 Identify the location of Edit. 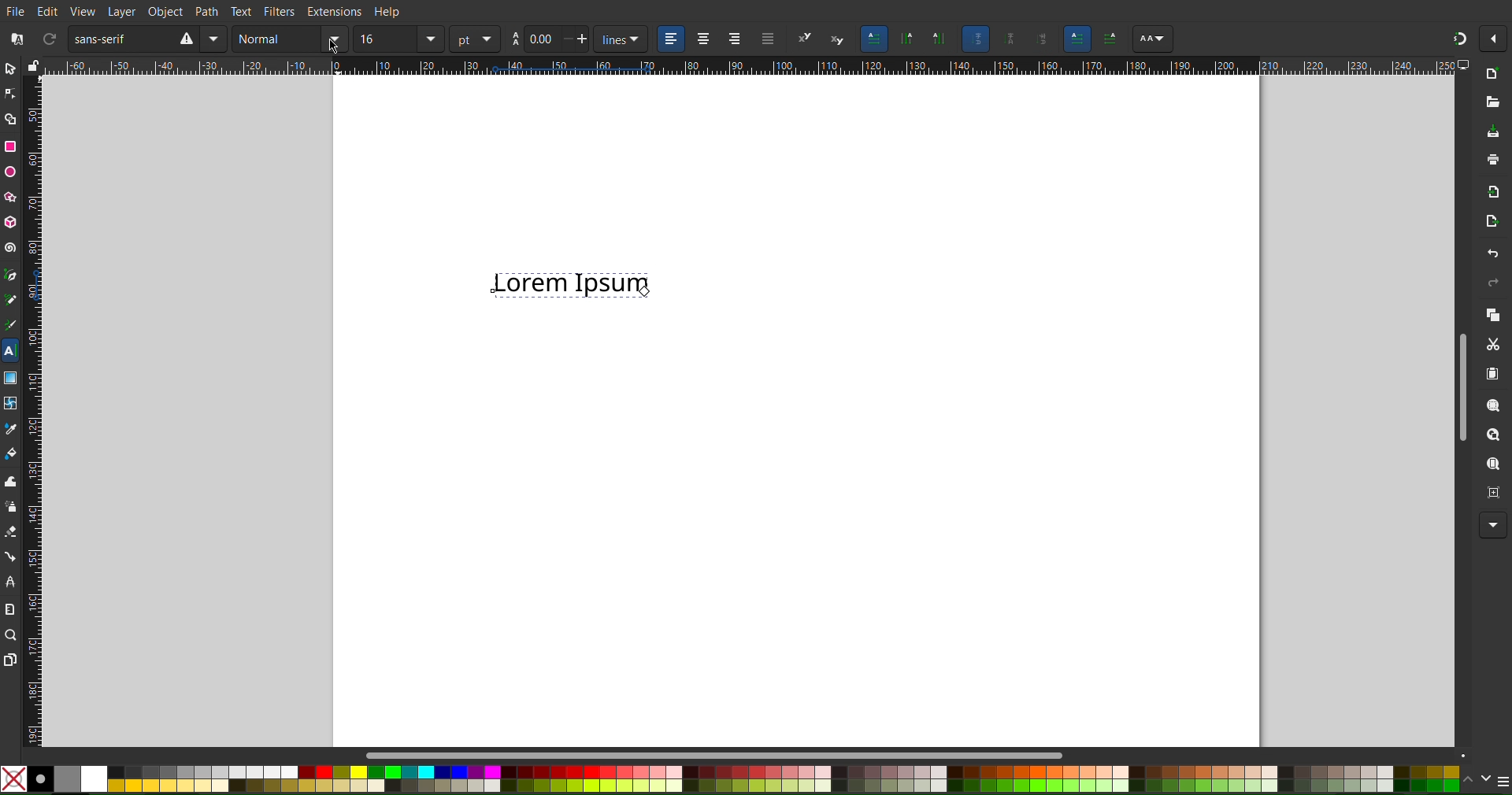
(45, 11).